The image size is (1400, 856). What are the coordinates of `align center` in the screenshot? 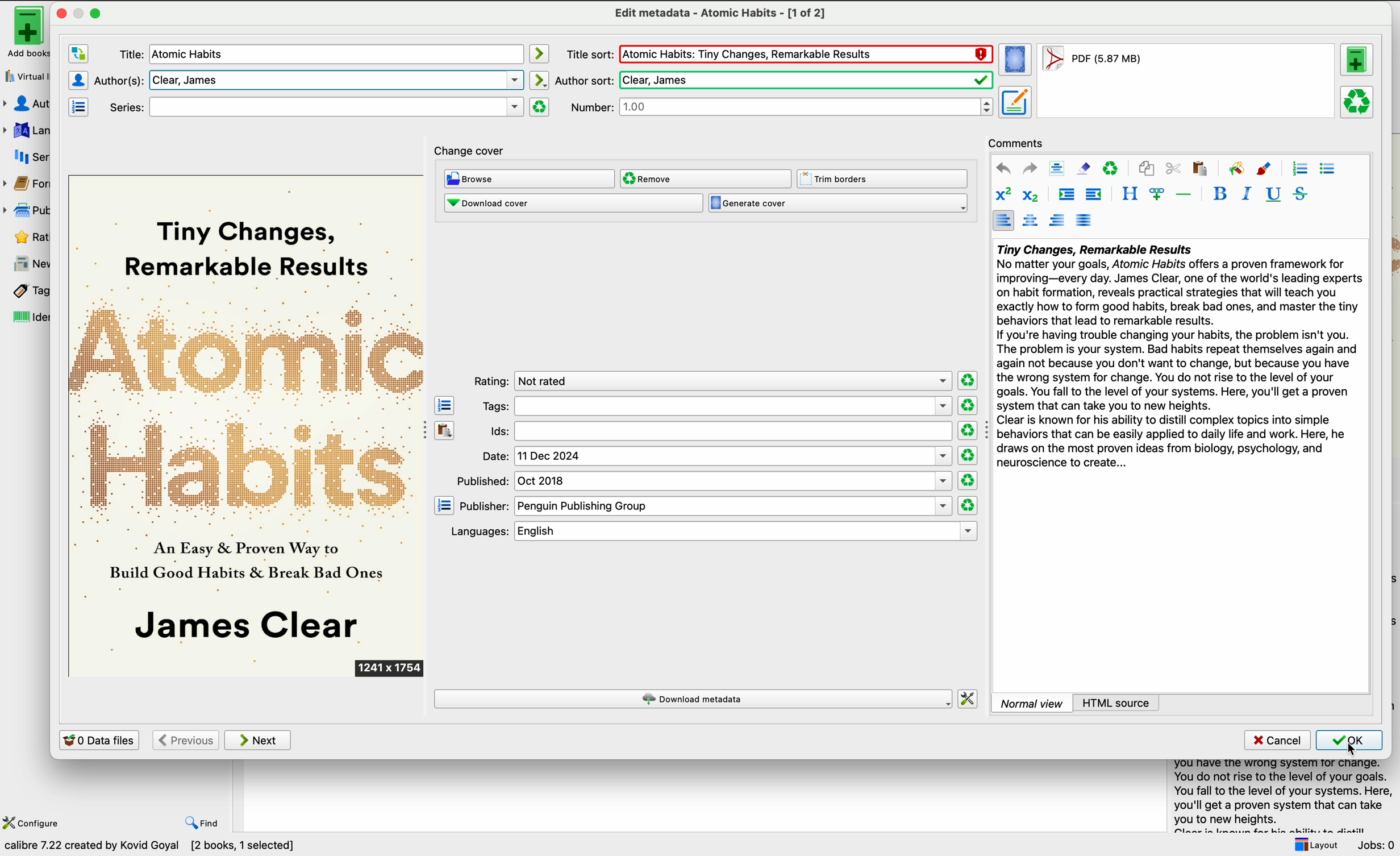 It's located at (1030, 221).